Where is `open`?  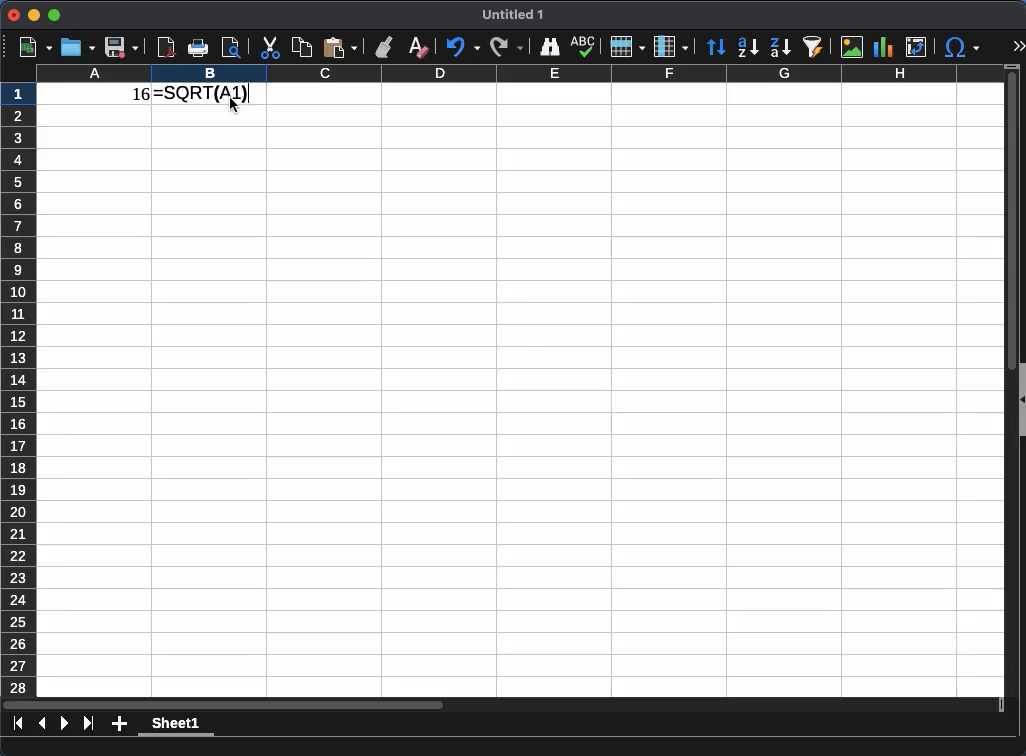
open is located at coordinates (76, 48).